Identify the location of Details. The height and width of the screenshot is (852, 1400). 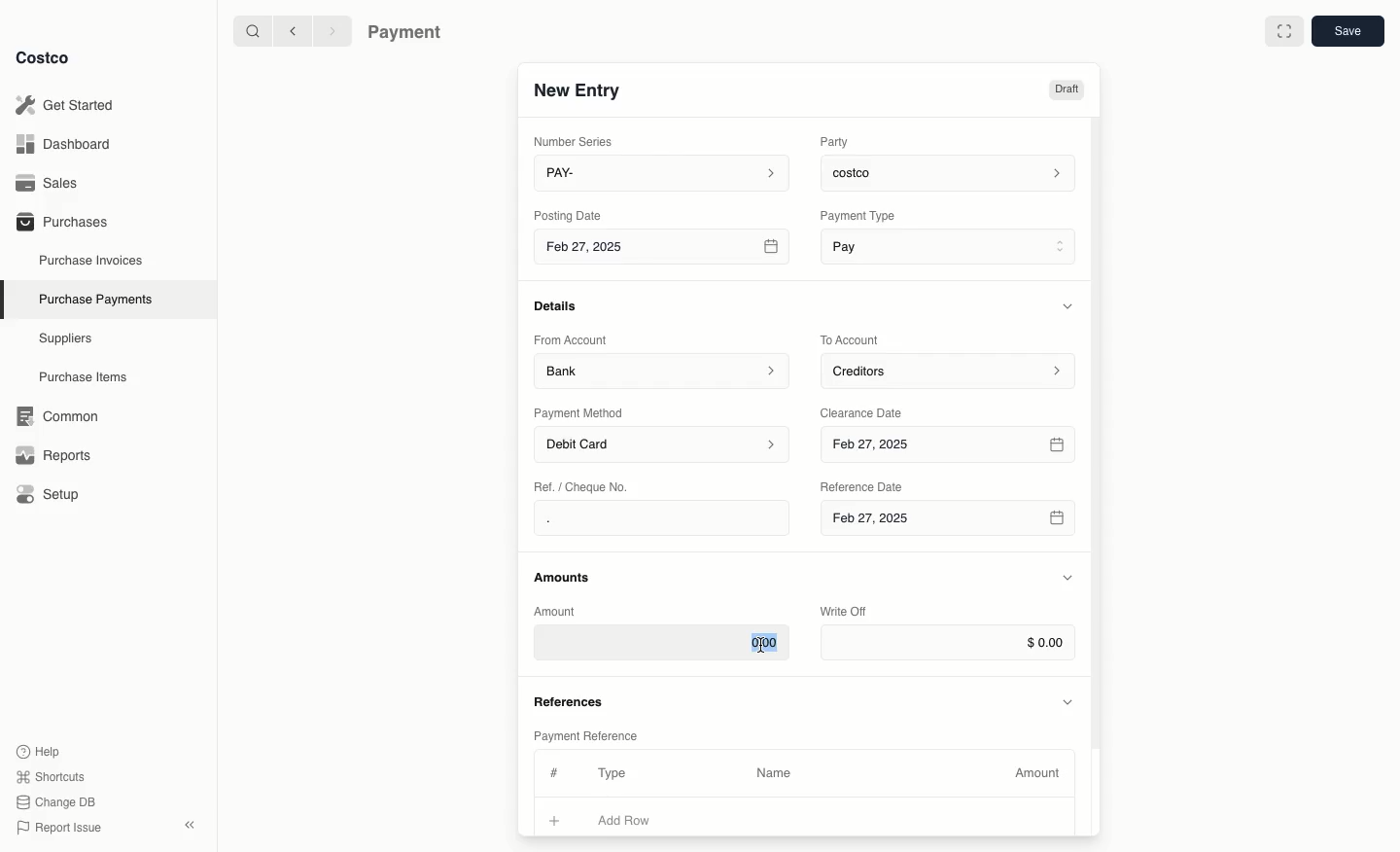
(561, 305).